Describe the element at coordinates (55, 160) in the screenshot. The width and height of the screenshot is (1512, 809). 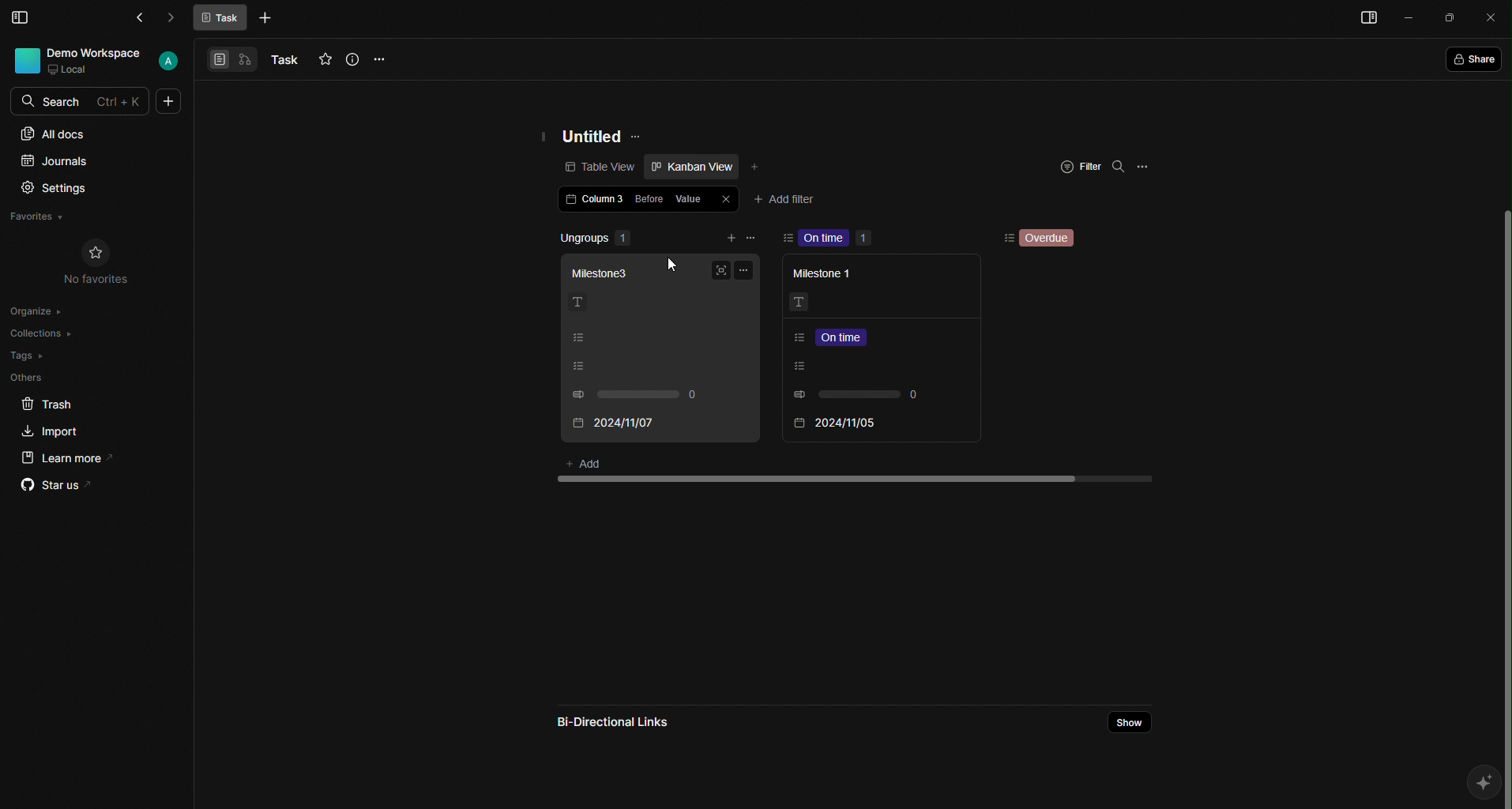
I see `Journals` at that location.